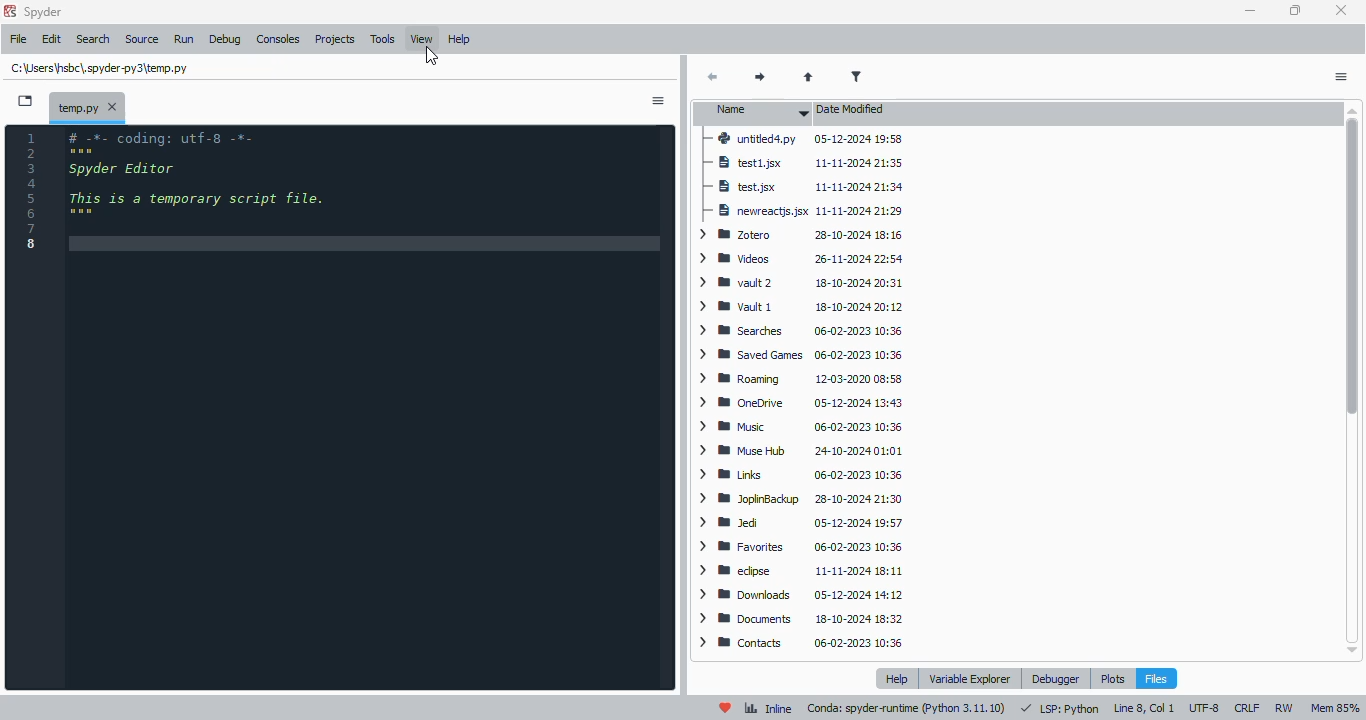 This screenshot has height=720, width=1366. Describe the element at coordinates (1341, 78) in the screenshot. I see `options` at that location.